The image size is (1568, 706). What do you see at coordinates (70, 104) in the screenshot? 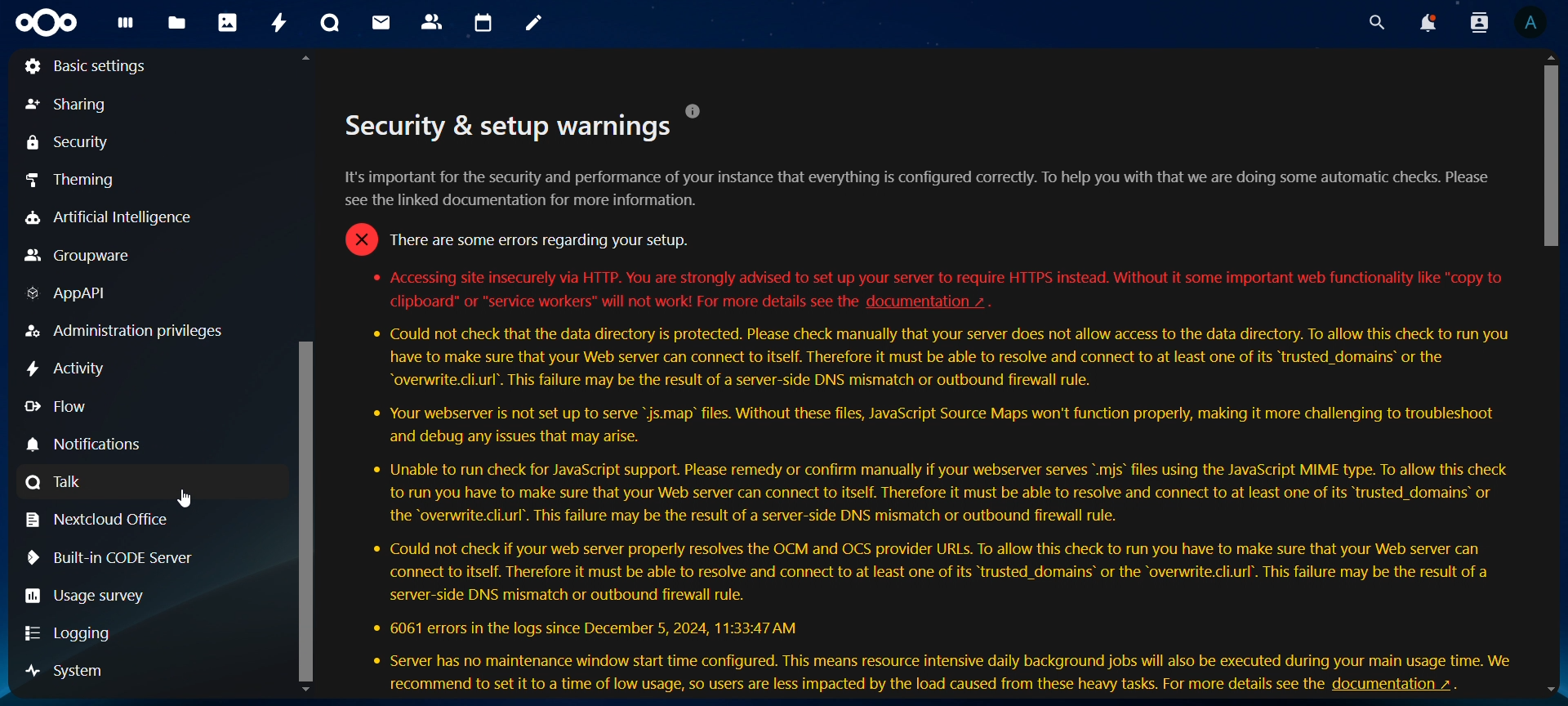
I see `sharing` at bounding box center [70, 104].